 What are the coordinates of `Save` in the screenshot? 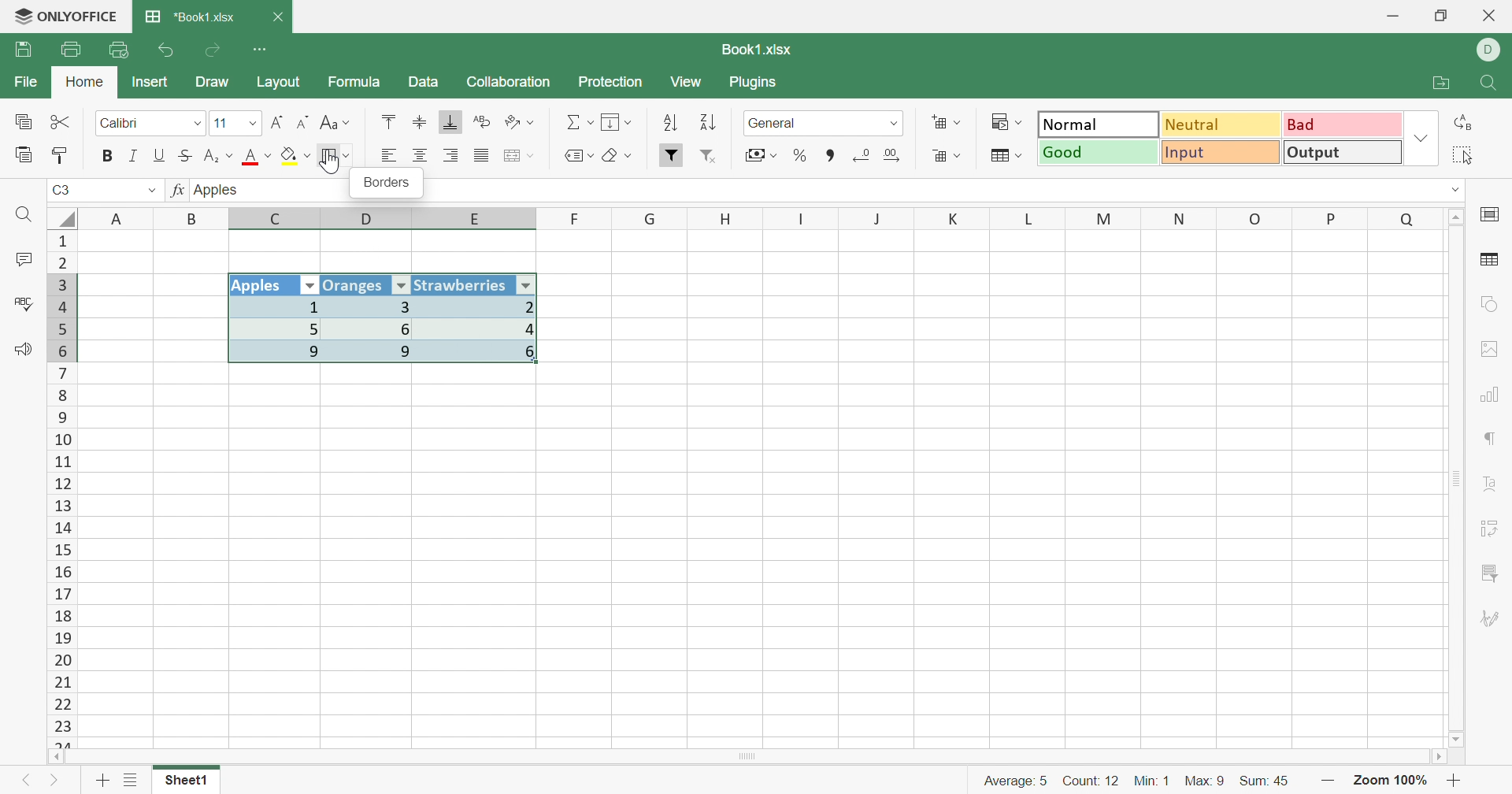 It's located at (26, 50).